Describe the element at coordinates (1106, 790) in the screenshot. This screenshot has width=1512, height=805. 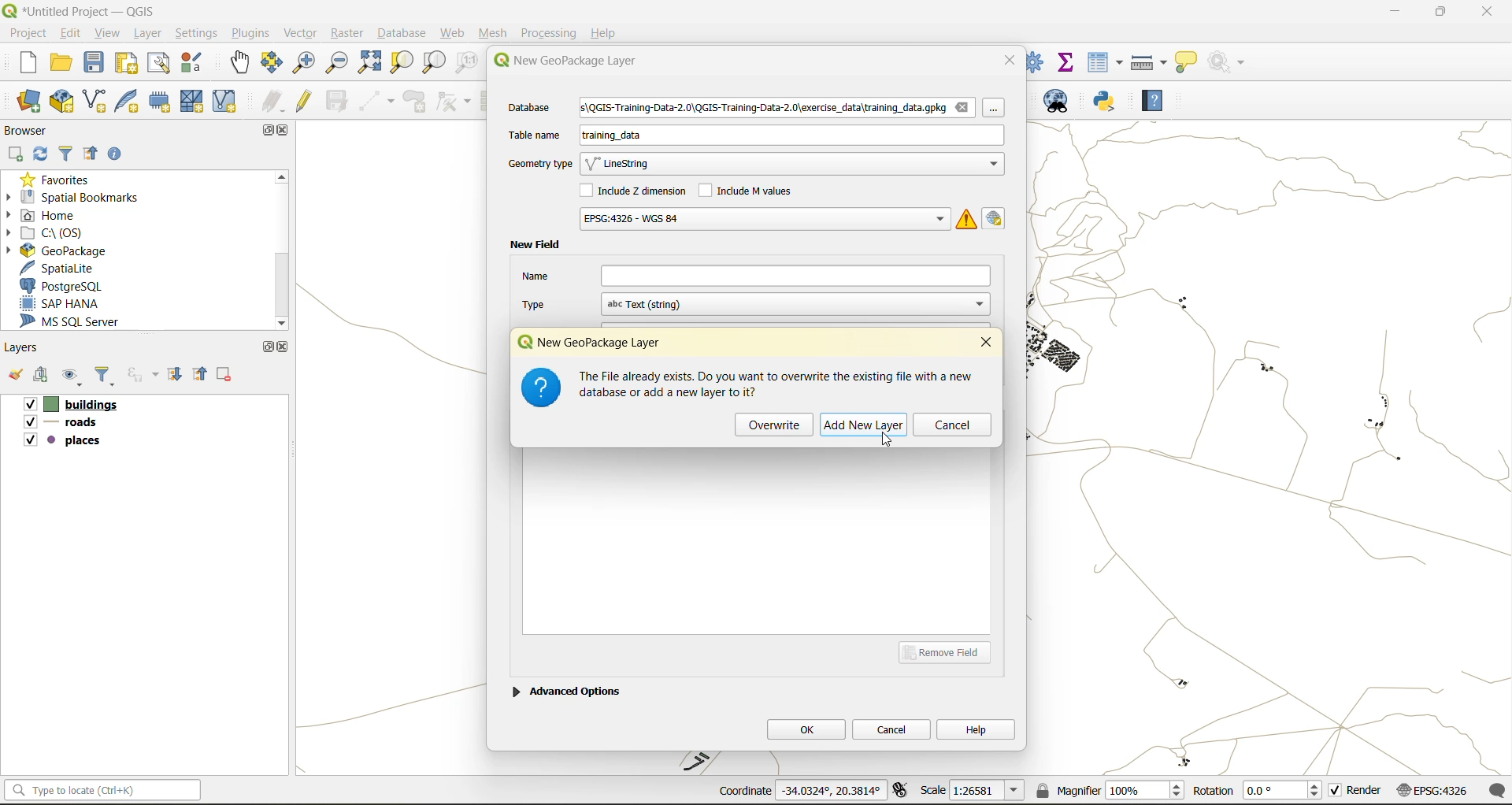
I see `magnifier(100%)` at that location.